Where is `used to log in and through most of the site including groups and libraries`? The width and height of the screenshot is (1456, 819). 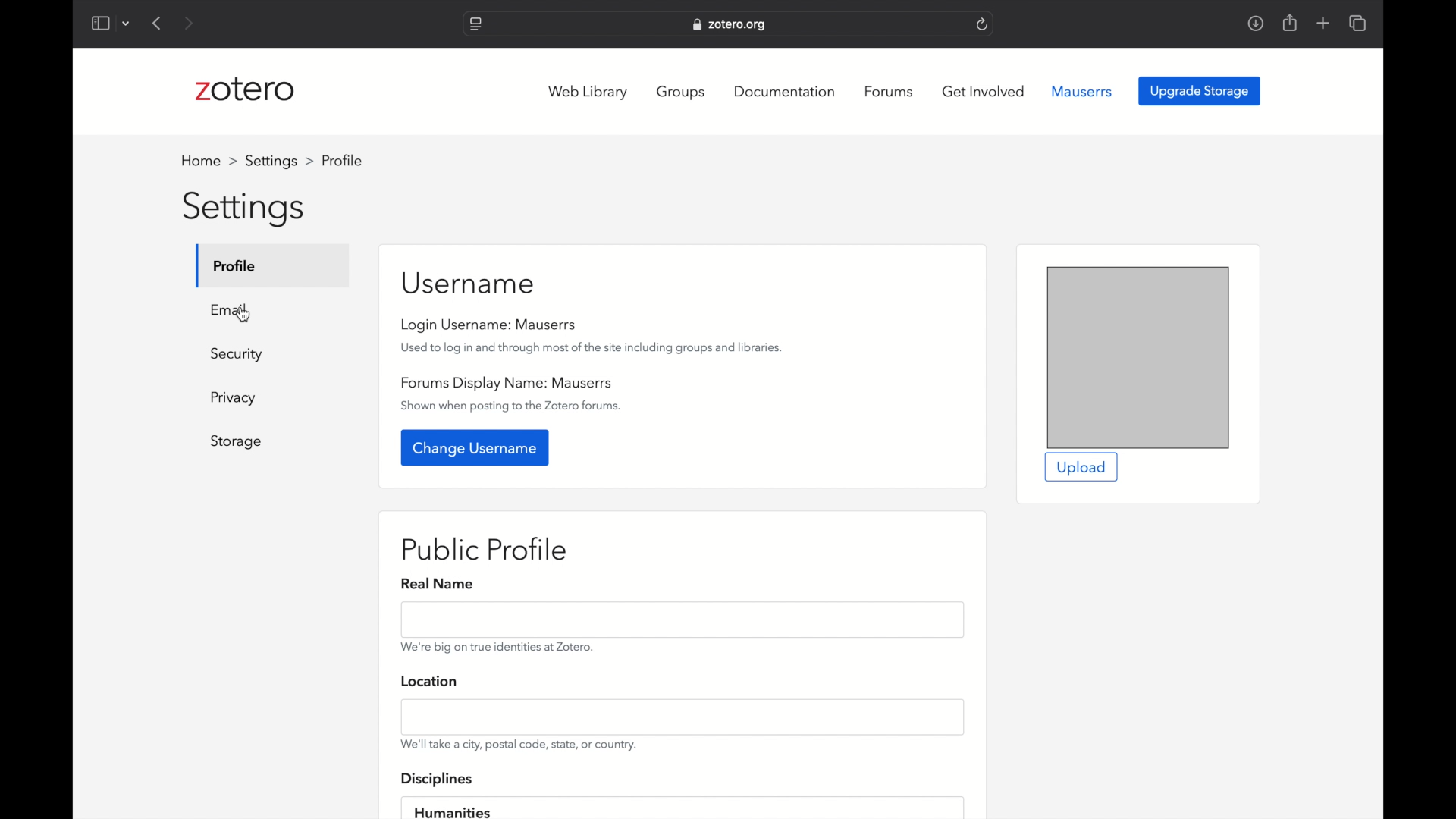
used to log in and through most of the site including groups and libraries is located at coordinates (592, 347).